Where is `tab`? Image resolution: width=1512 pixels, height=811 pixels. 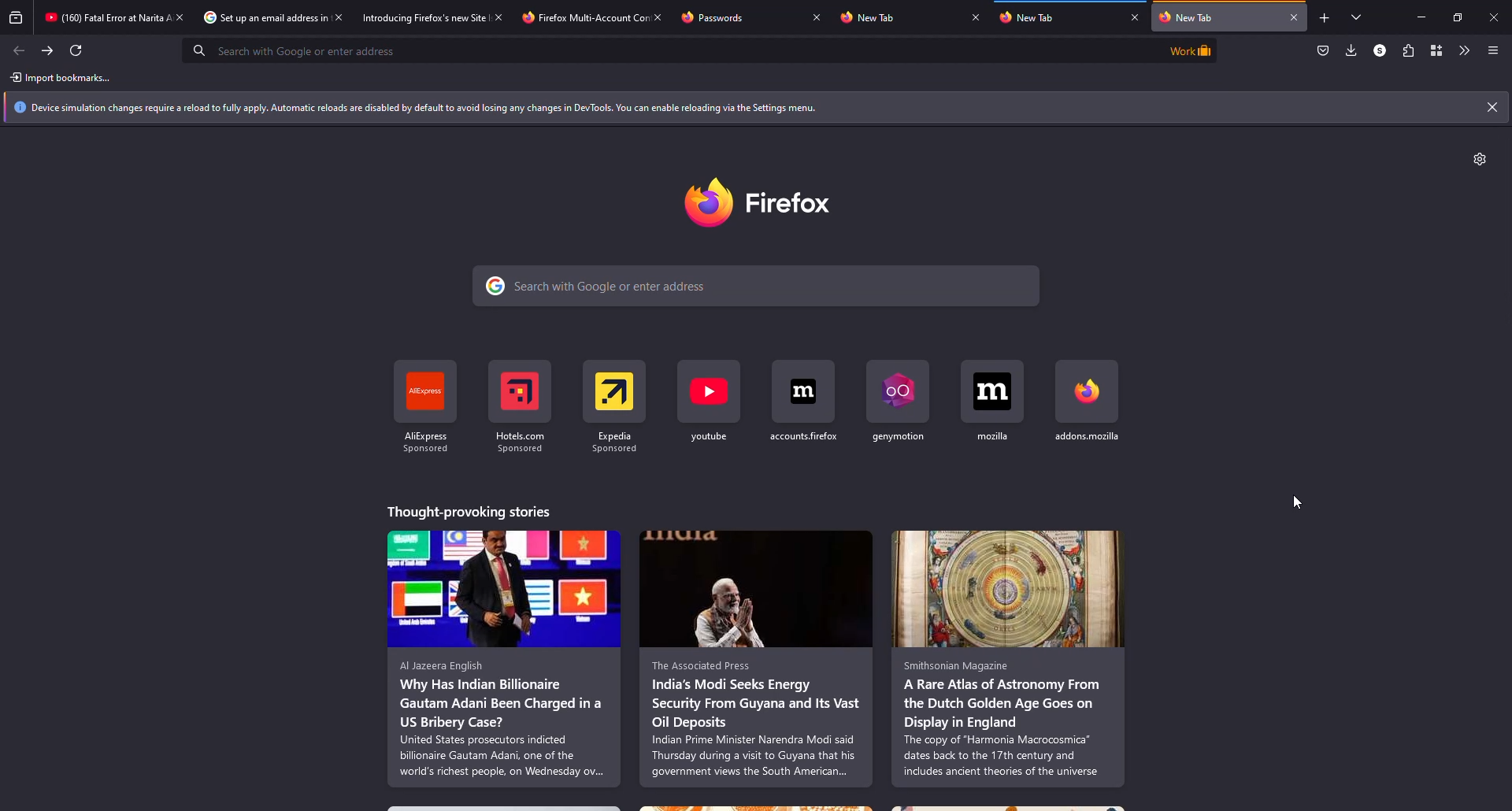
tab is located at coordinates (1034, 19).